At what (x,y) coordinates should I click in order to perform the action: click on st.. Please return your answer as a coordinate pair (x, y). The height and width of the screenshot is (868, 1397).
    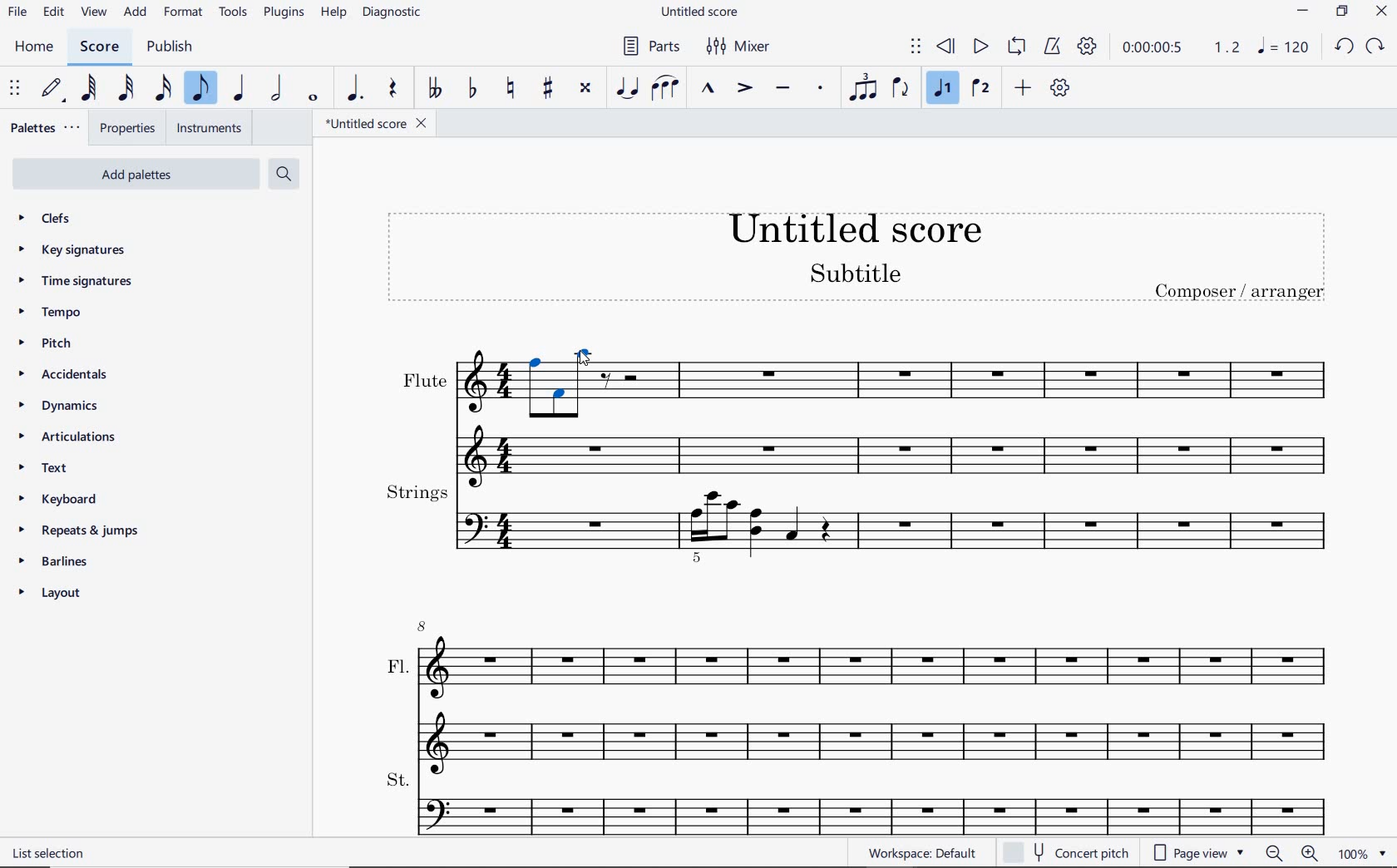
    Looking at the image, I should click on (875, 801).